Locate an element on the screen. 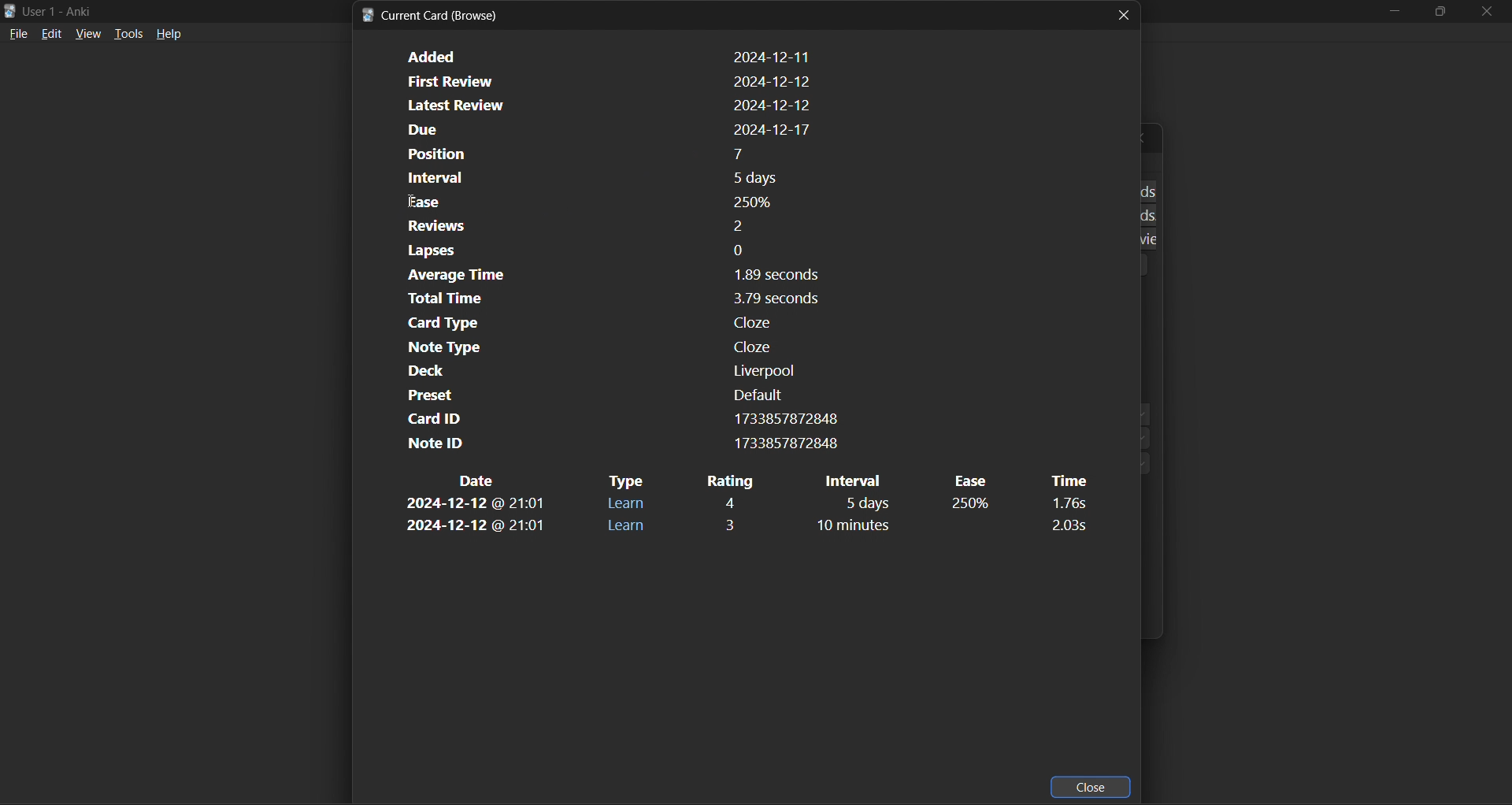 Image resolution: width=1512 pixels, height=805 pixels. time is located at coordinates (1066, 525).